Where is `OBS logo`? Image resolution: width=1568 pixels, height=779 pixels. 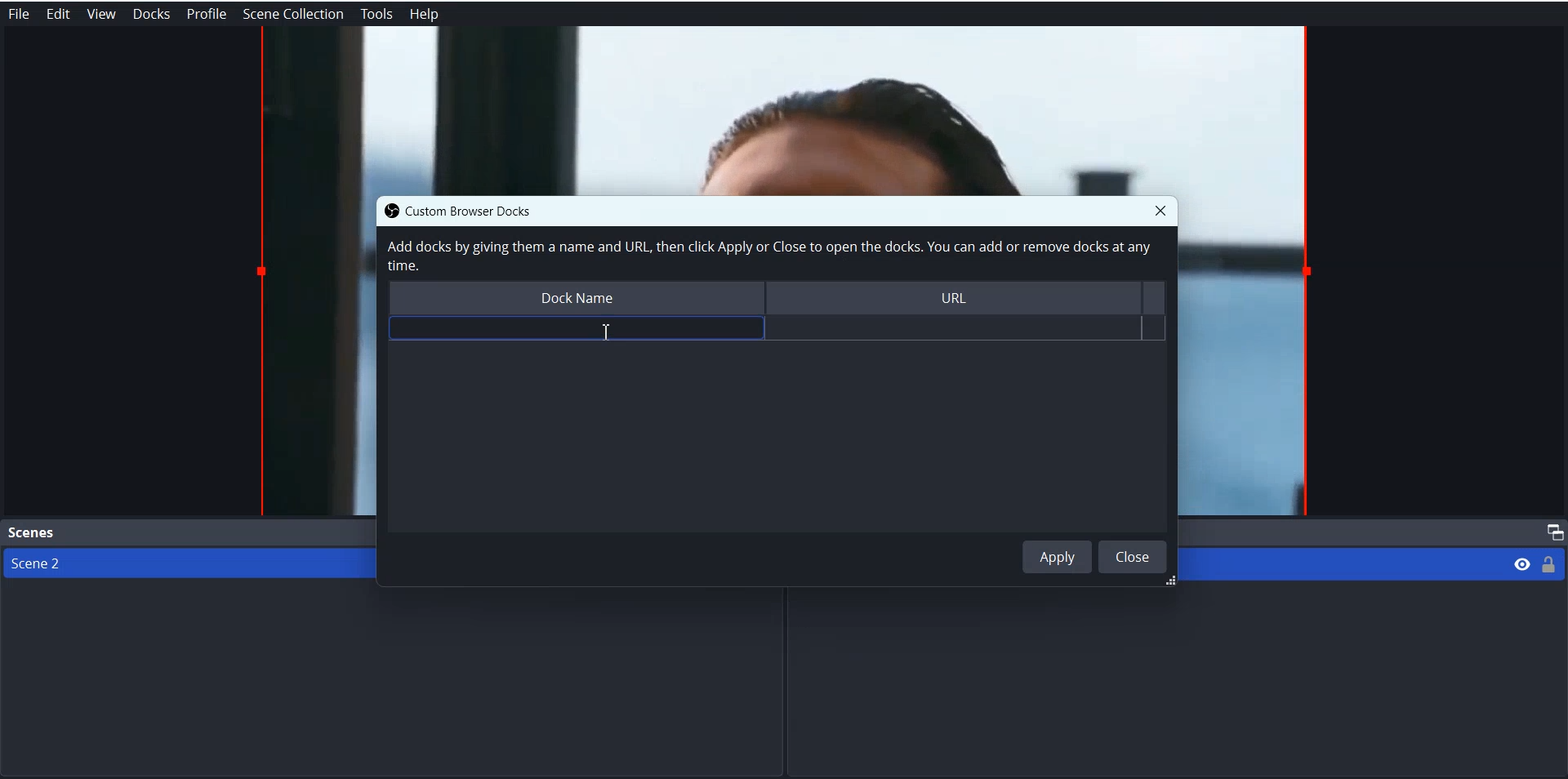 OBS logo is located at coordinates (387, 211).